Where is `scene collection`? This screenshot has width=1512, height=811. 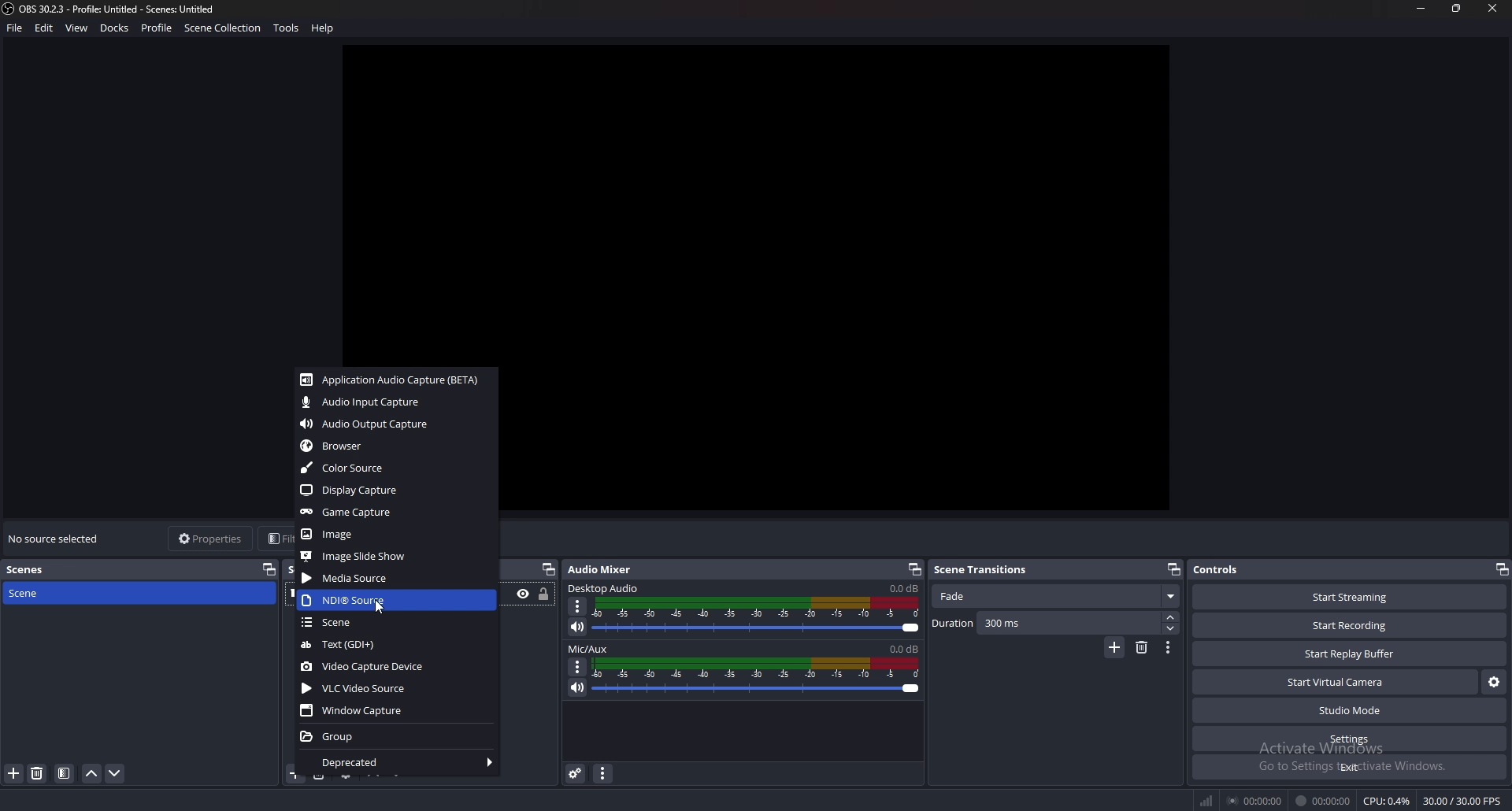
scene collection is located at coordinates (224, 27).